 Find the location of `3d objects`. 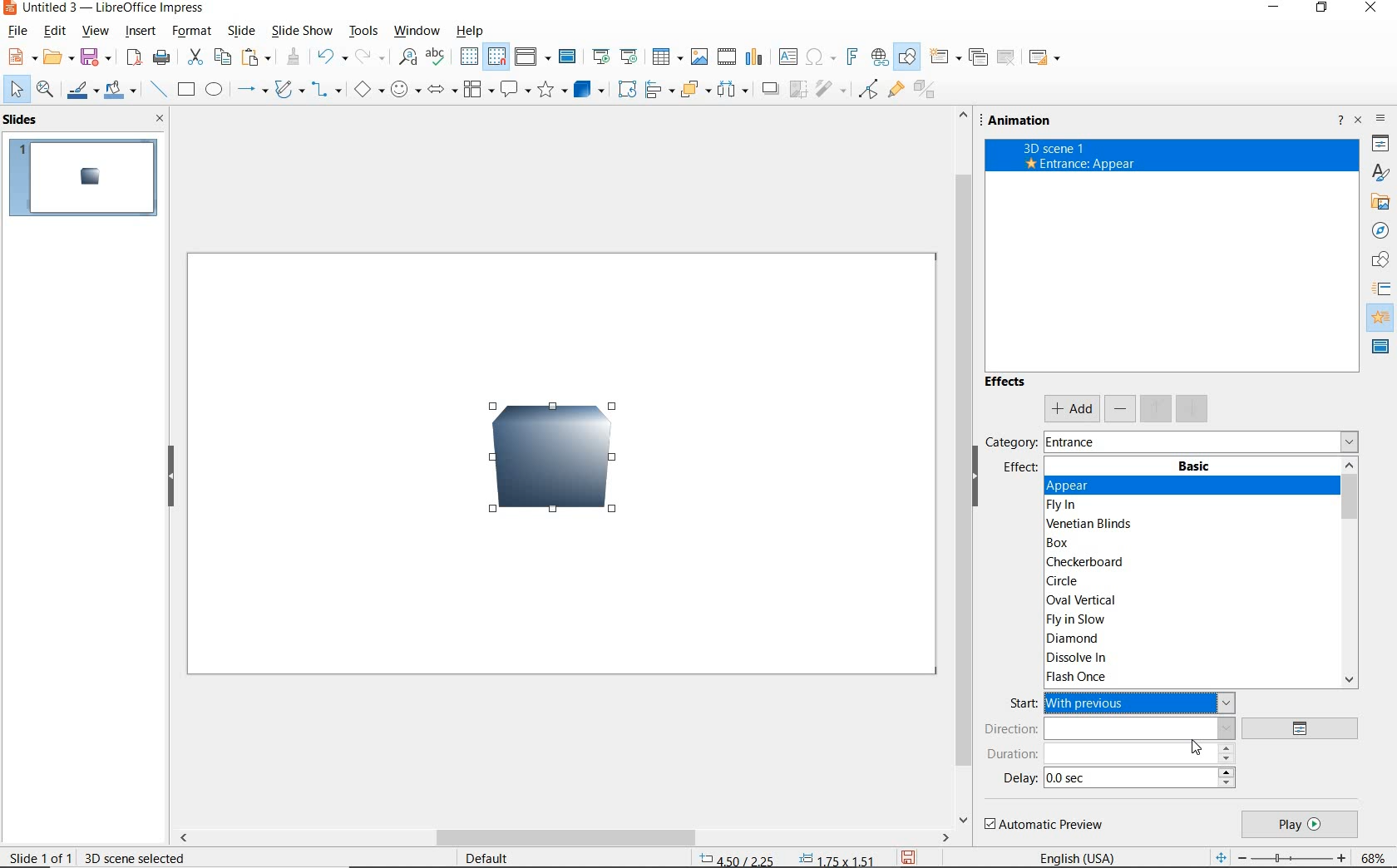

3d objects is located at coordinates (589, 90).